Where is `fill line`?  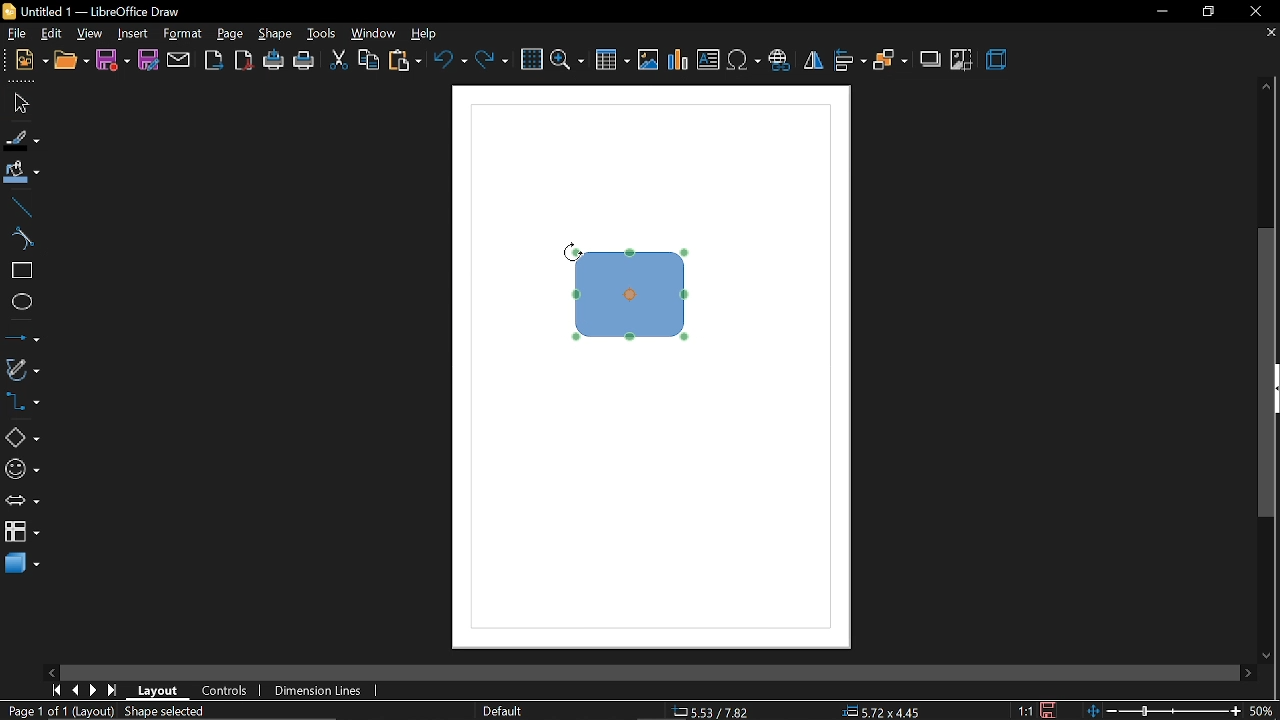
fill line is located at coordinates (21, 140).